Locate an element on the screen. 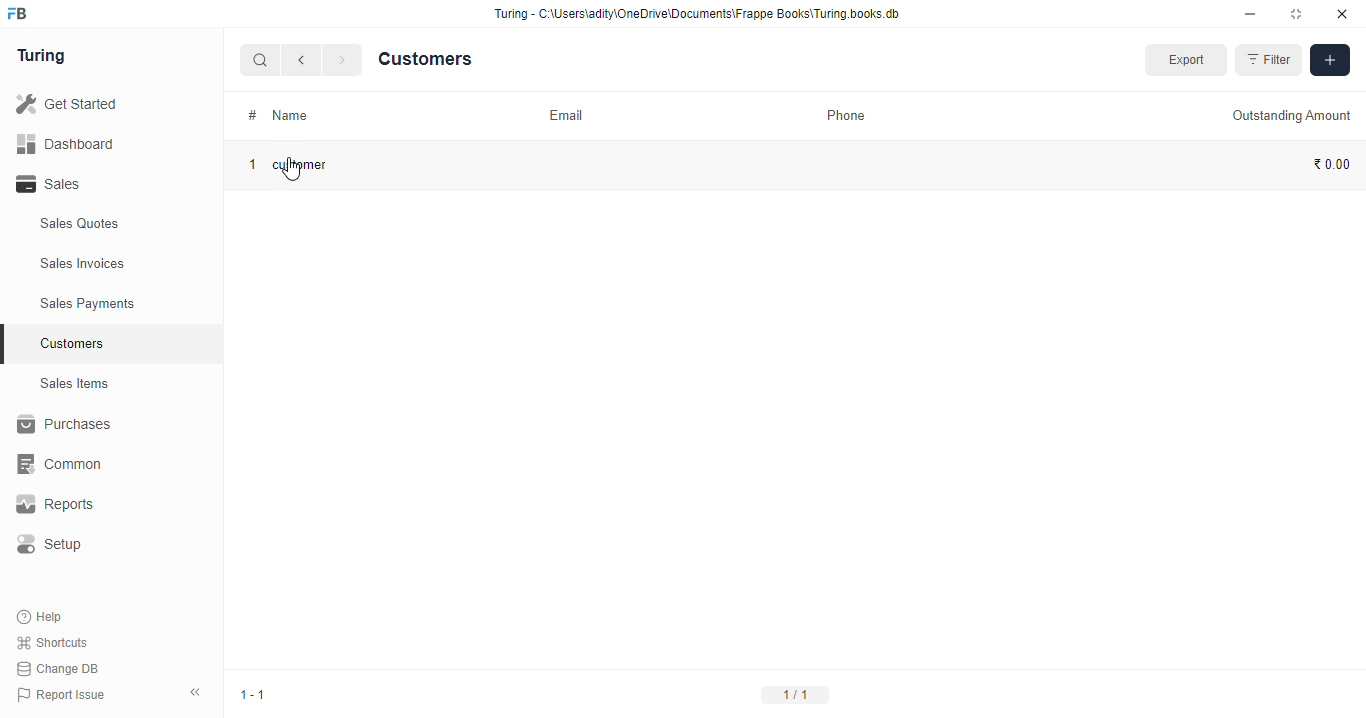  # Name is located at coordinates (290, 115).